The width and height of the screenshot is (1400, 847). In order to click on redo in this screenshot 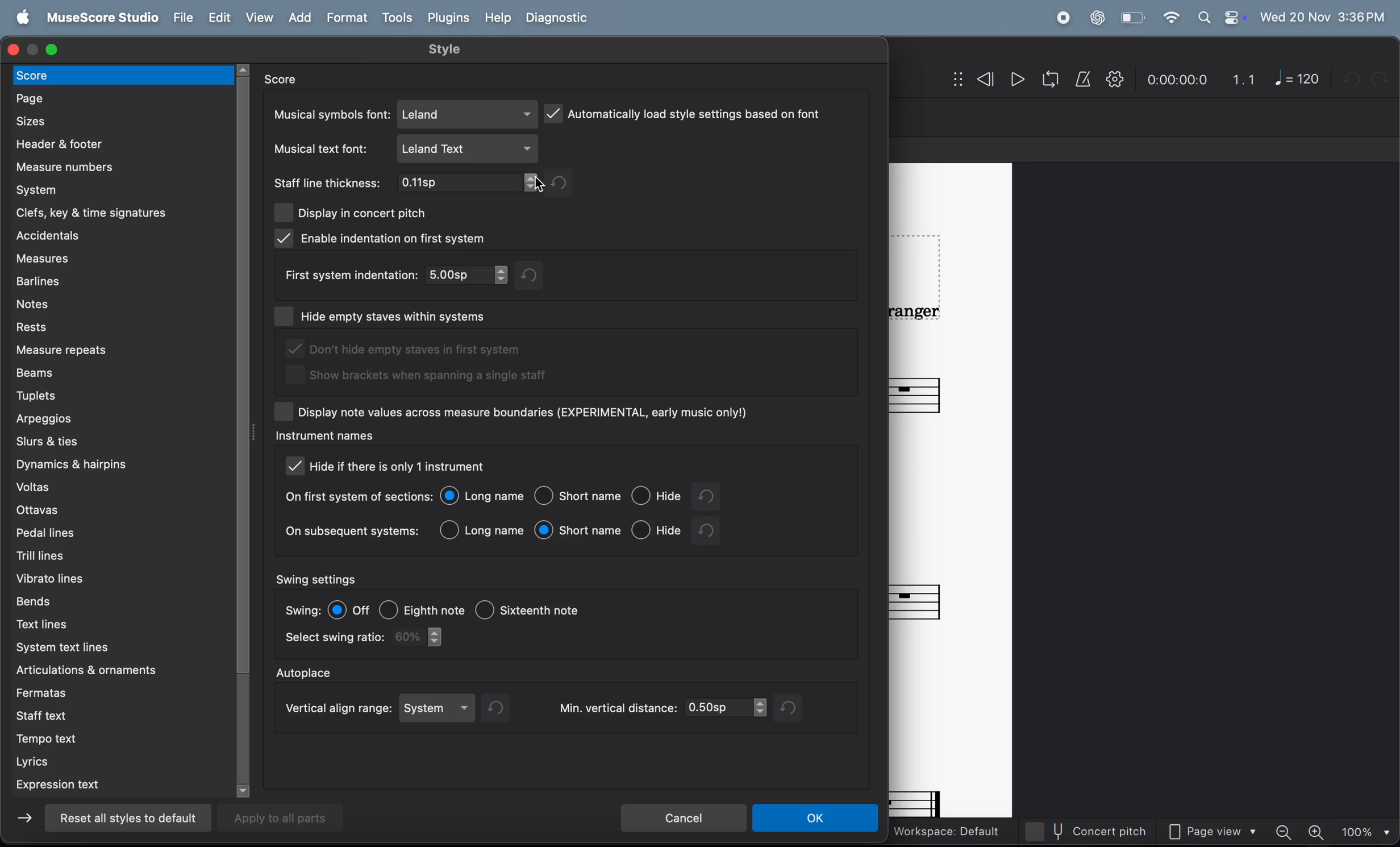, I will do `click(717, 496)`.